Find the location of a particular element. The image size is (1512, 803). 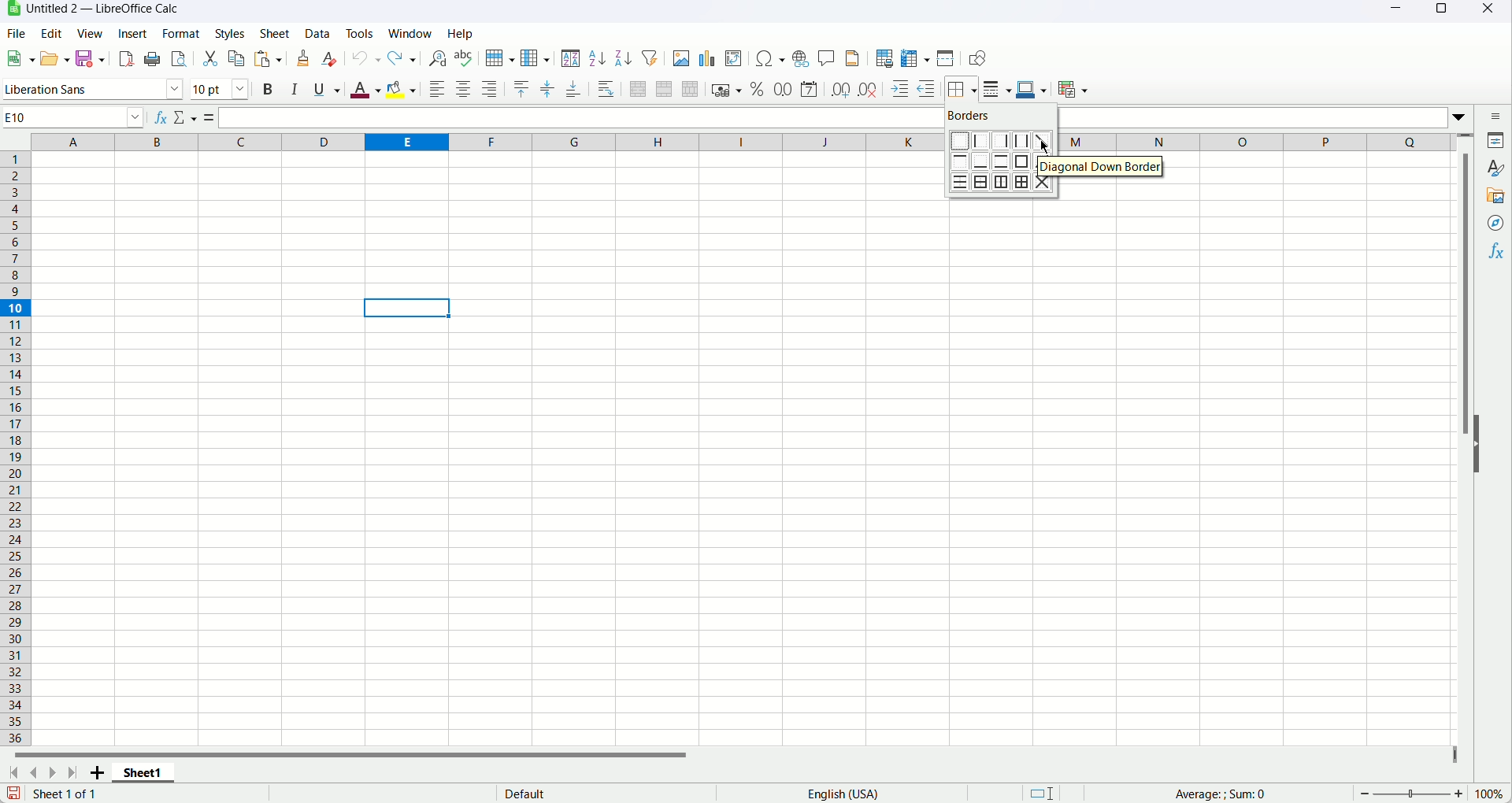

Align right is located at coordinates (490, 87).